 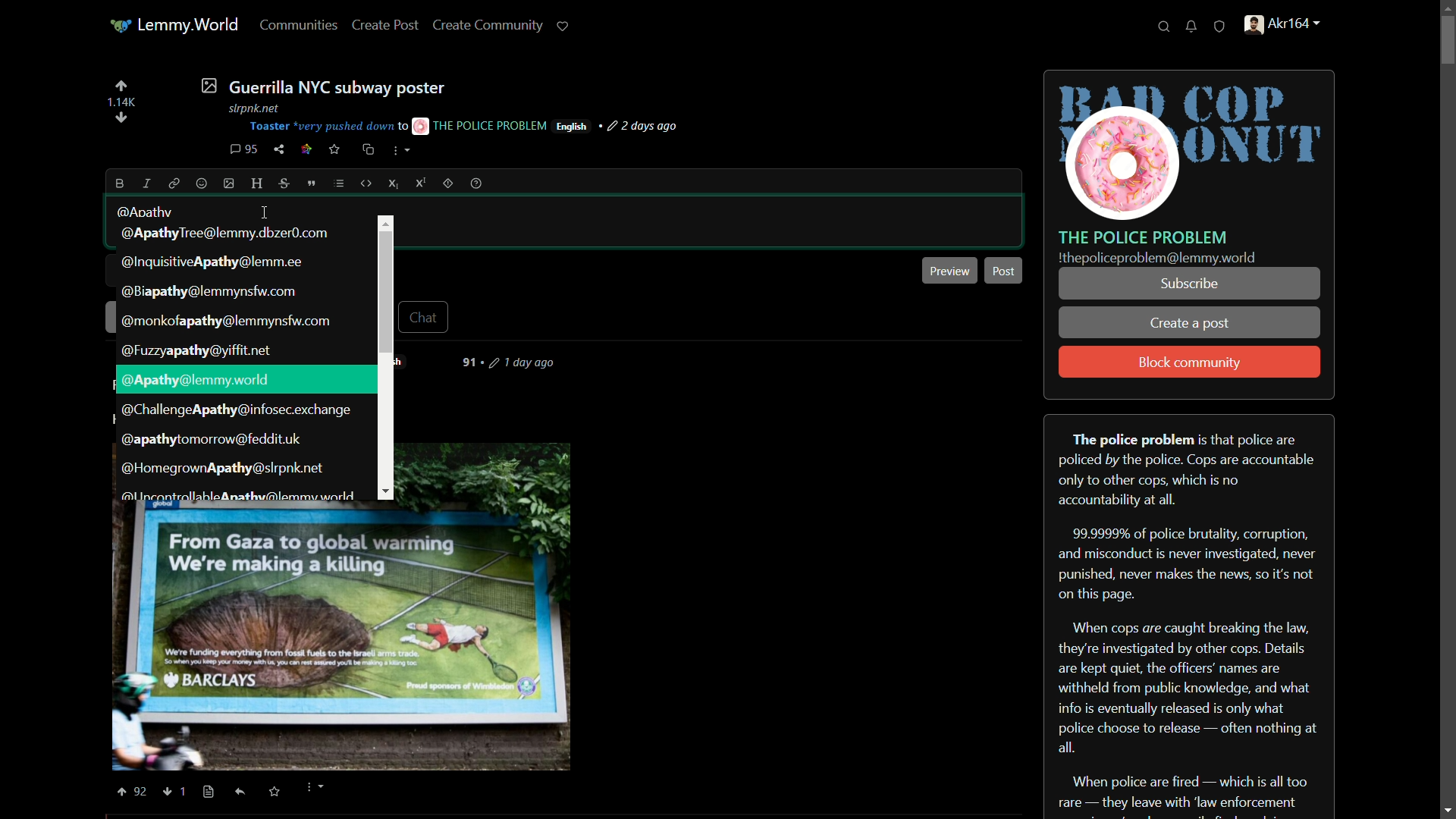 What do you see at coordinates (1193, 27) in the screenshot?
I see `unread notifications` at bounding box center [1193, 27].